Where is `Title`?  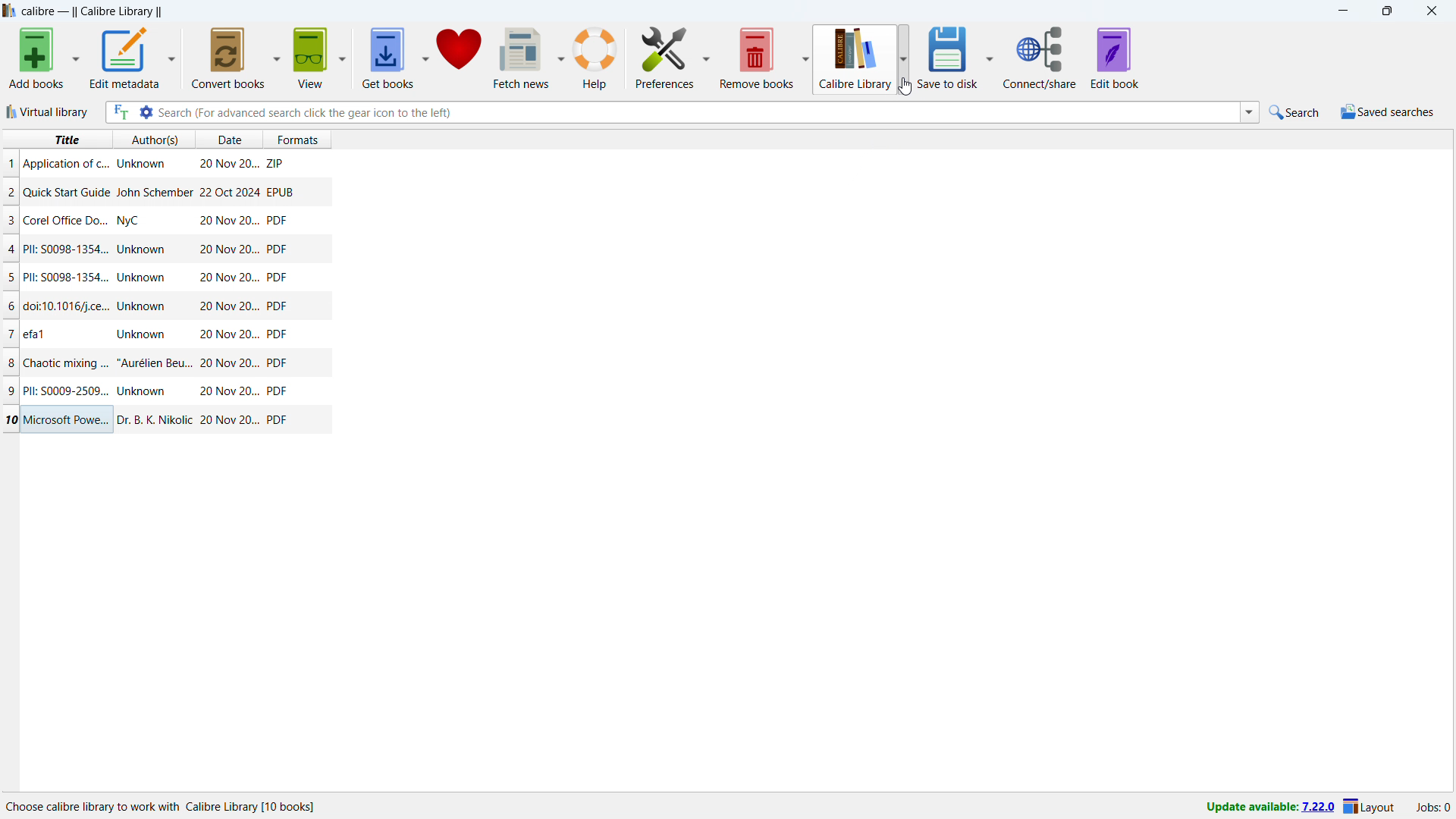
Title is located at coordinates (70, 420).